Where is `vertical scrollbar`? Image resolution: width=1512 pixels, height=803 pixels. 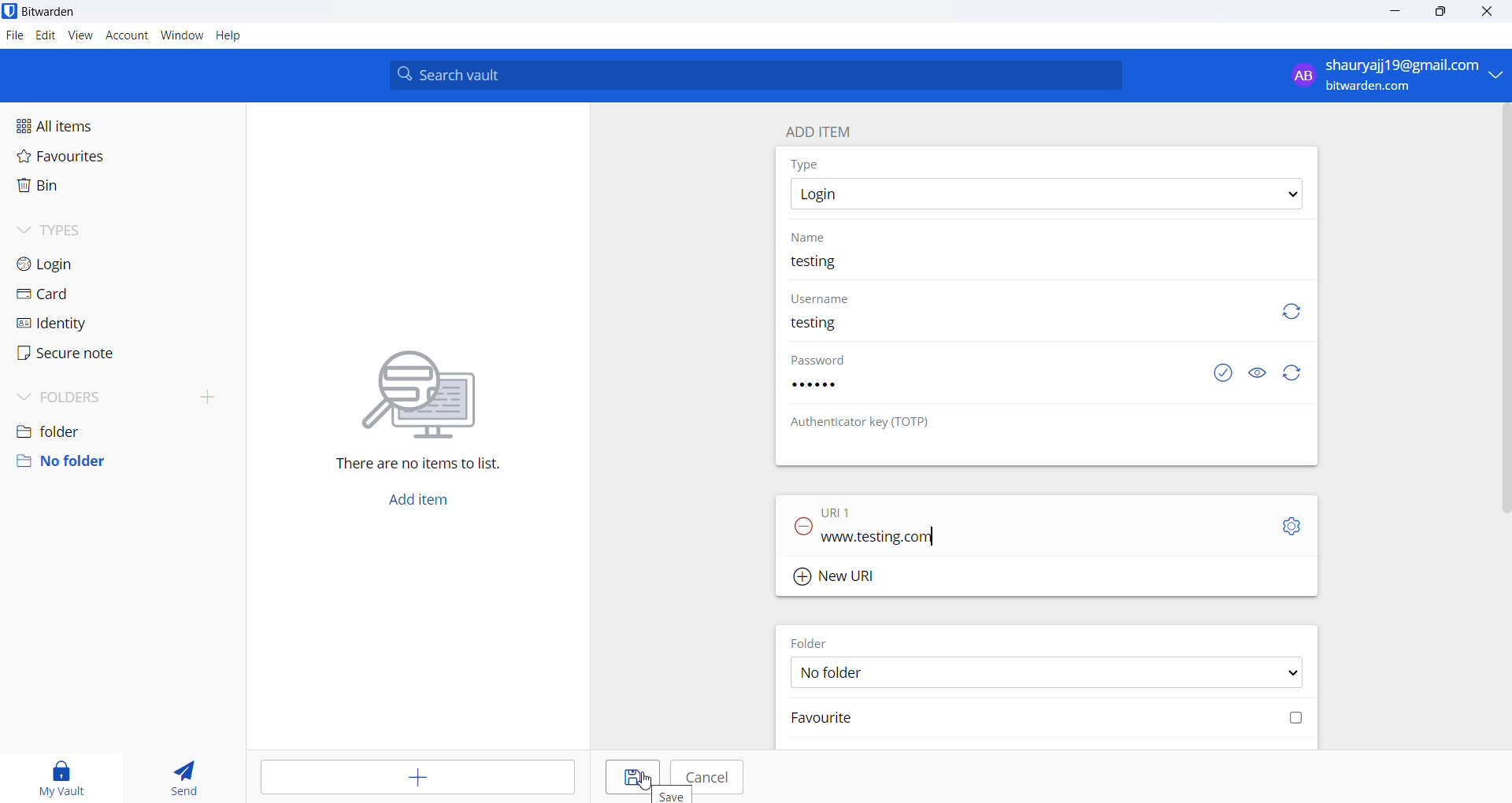
vertical scrollbar is located at coordinates (1503, 309).